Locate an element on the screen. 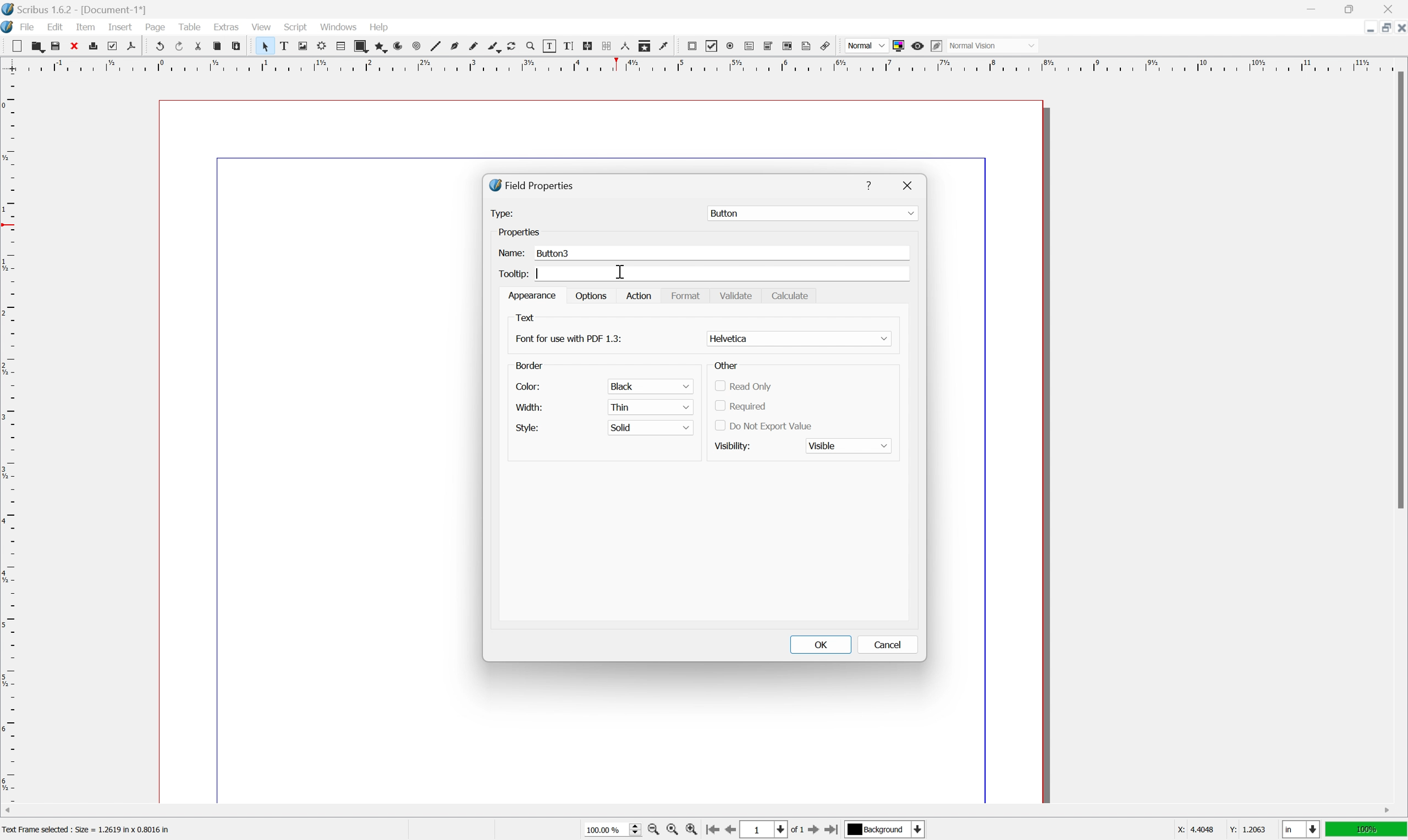  spiral is located at coordinates (417, 46).